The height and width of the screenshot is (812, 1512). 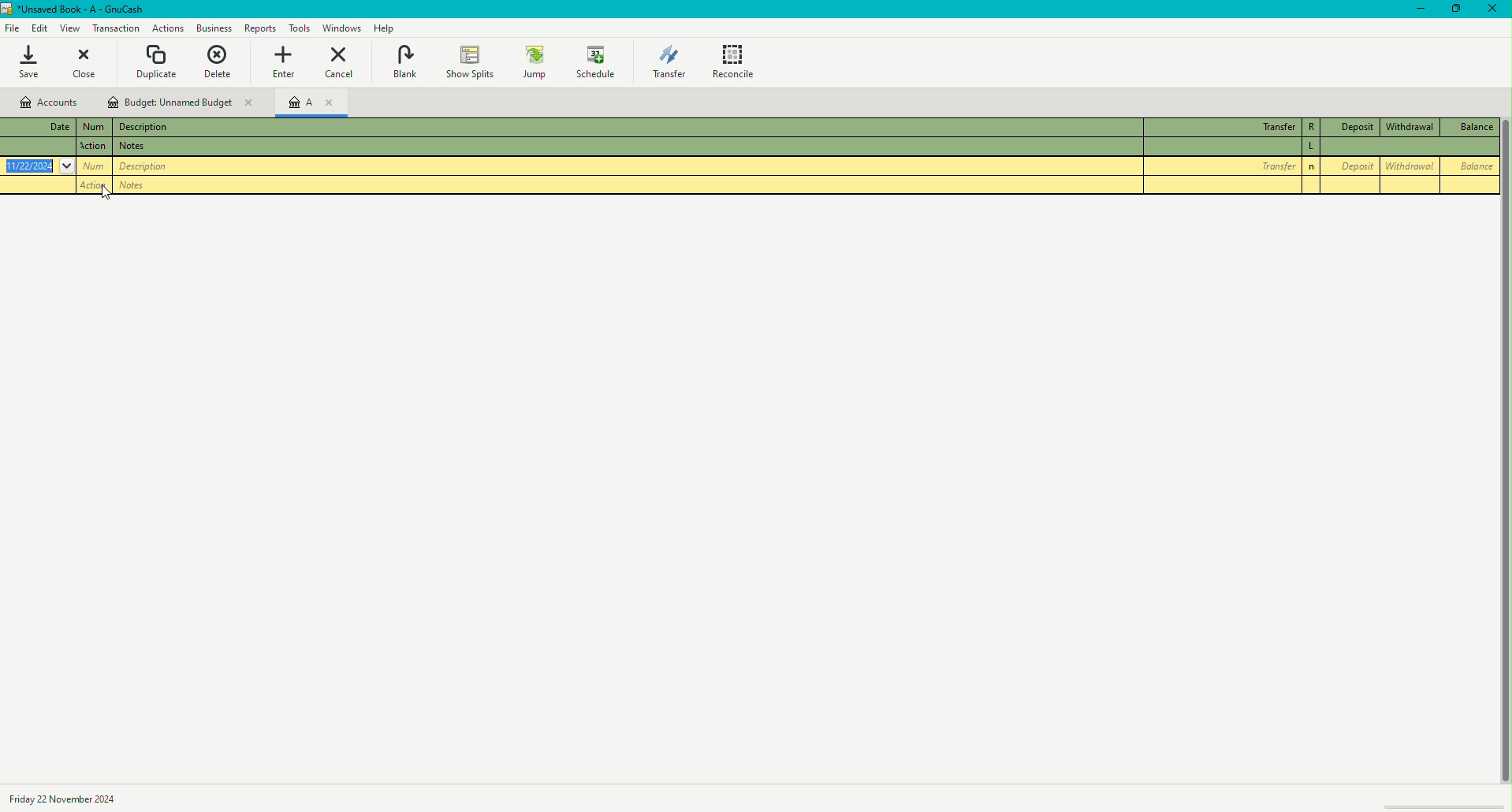 What do you see at coordinates (40, 147) in the screenshot?
I see `date` at bounding box center [40, 147].